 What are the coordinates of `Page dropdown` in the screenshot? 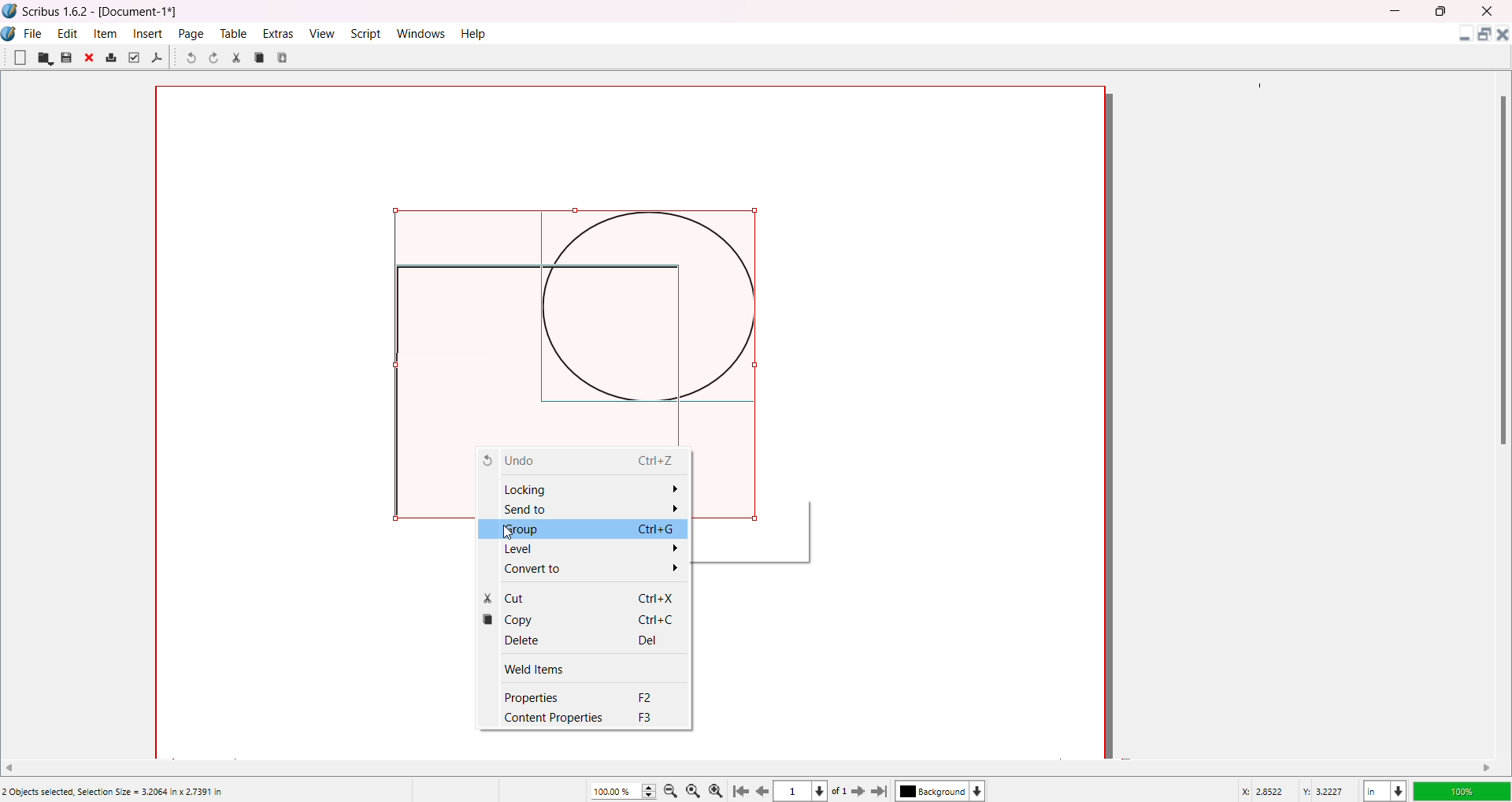 It's located at (826, 790).